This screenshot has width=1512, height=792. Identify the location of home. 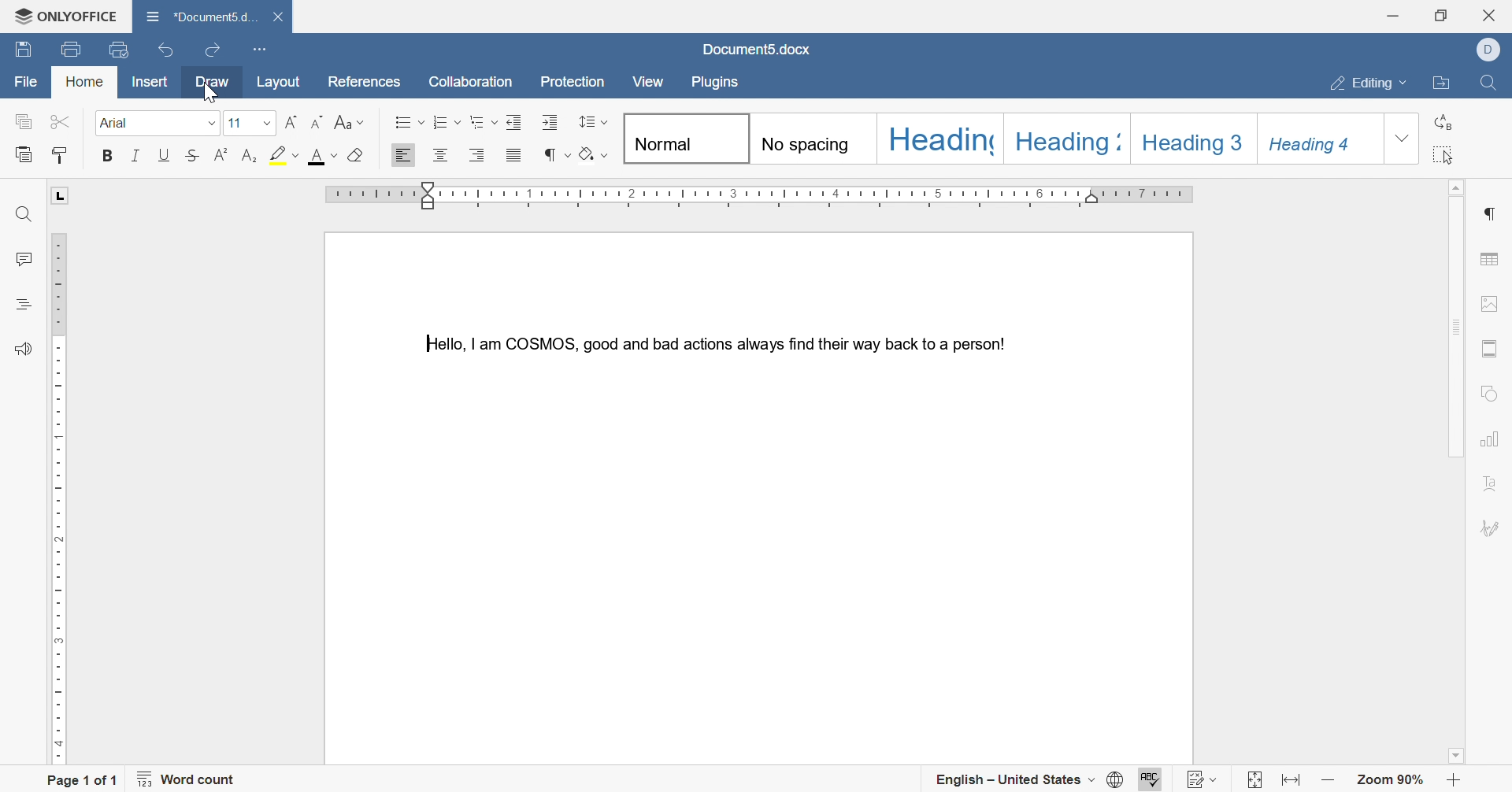
(86, 81).